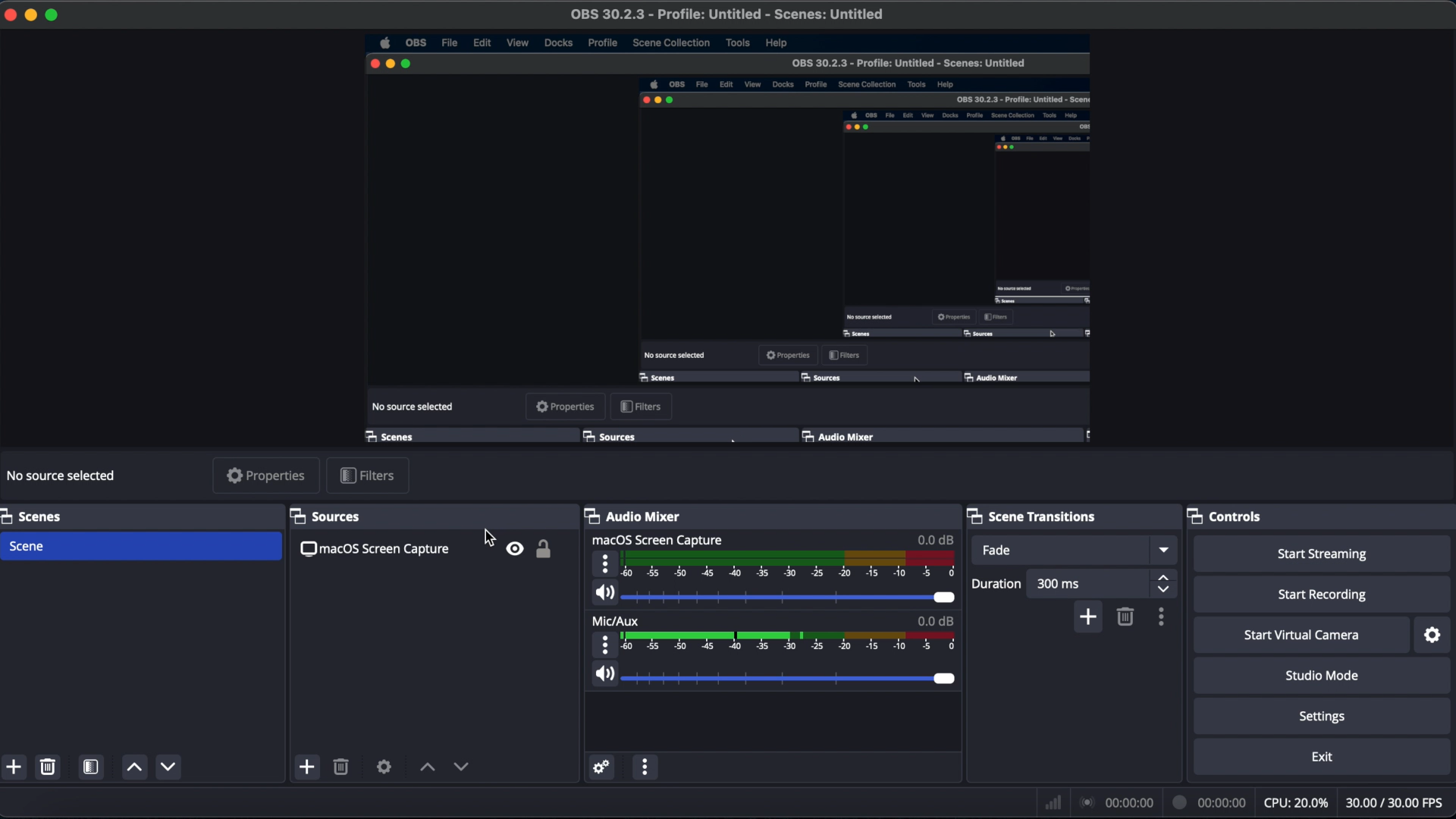  What do you see at coordinates (373, 549) in the screenshot?
I see `macOS screen capture` at bounding box center [373, 549].